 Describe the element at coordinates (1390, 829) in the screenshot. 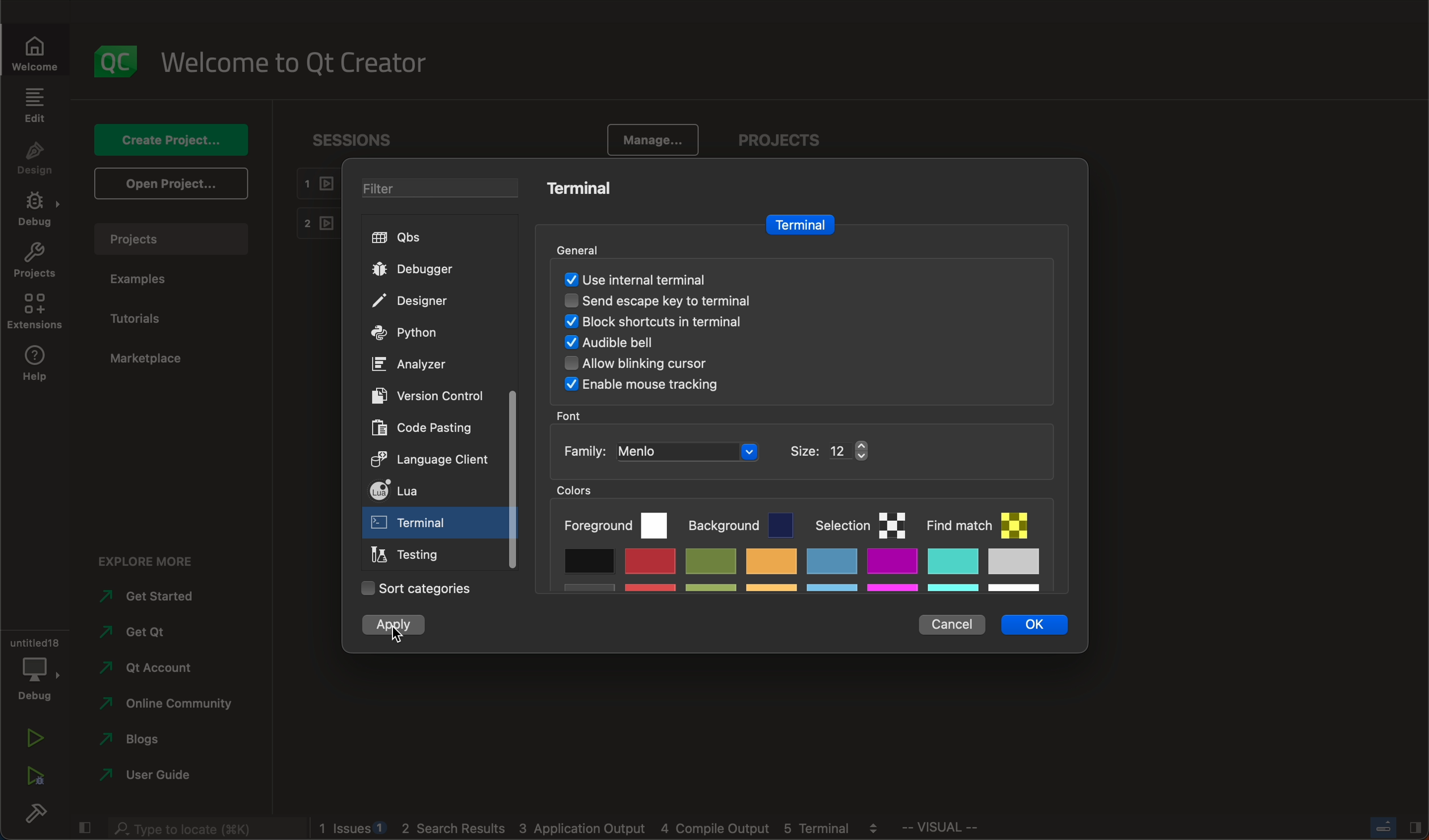

I see `close slidebar` at that location.